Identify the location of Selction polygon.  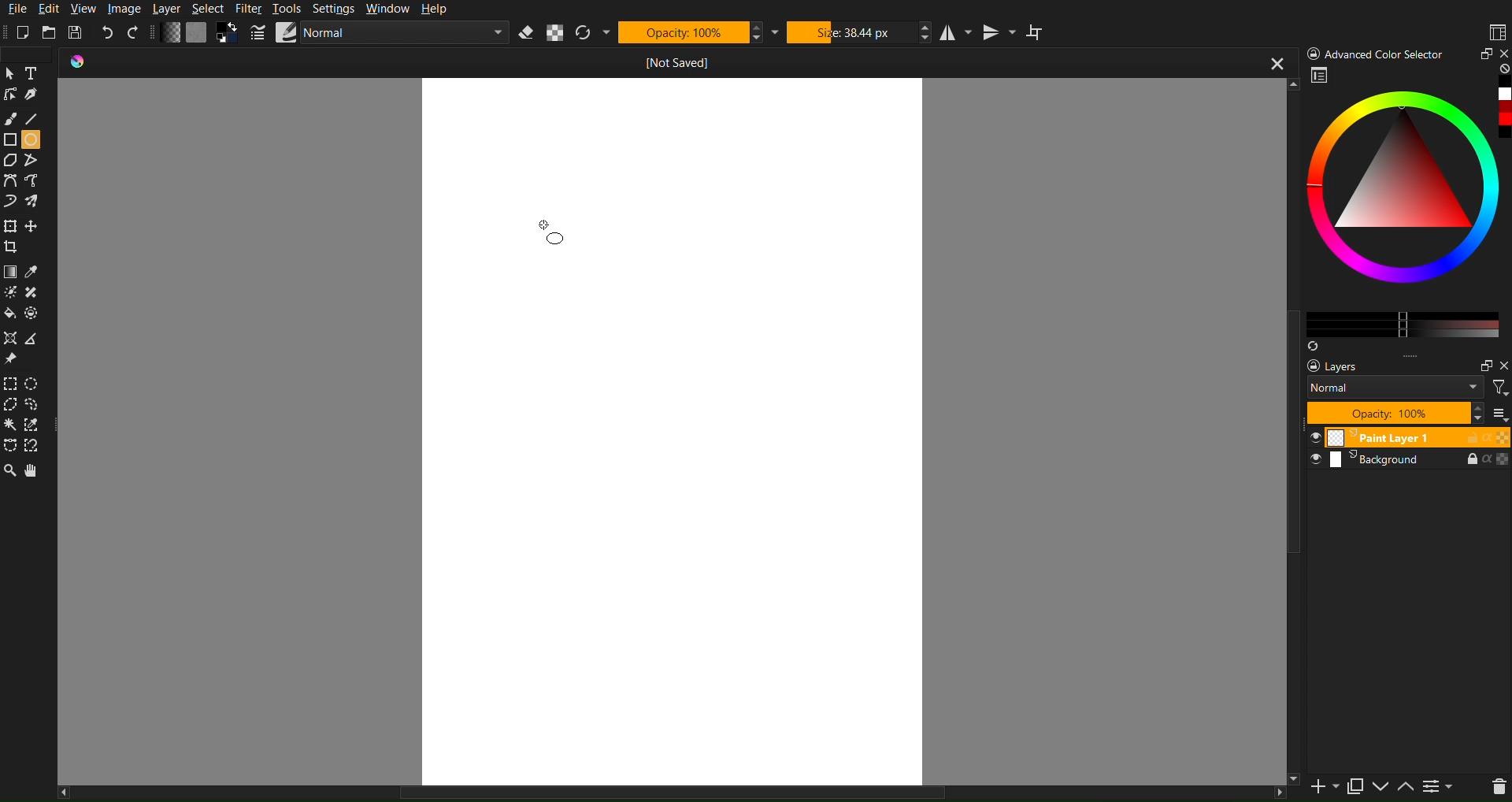
(11, 405).